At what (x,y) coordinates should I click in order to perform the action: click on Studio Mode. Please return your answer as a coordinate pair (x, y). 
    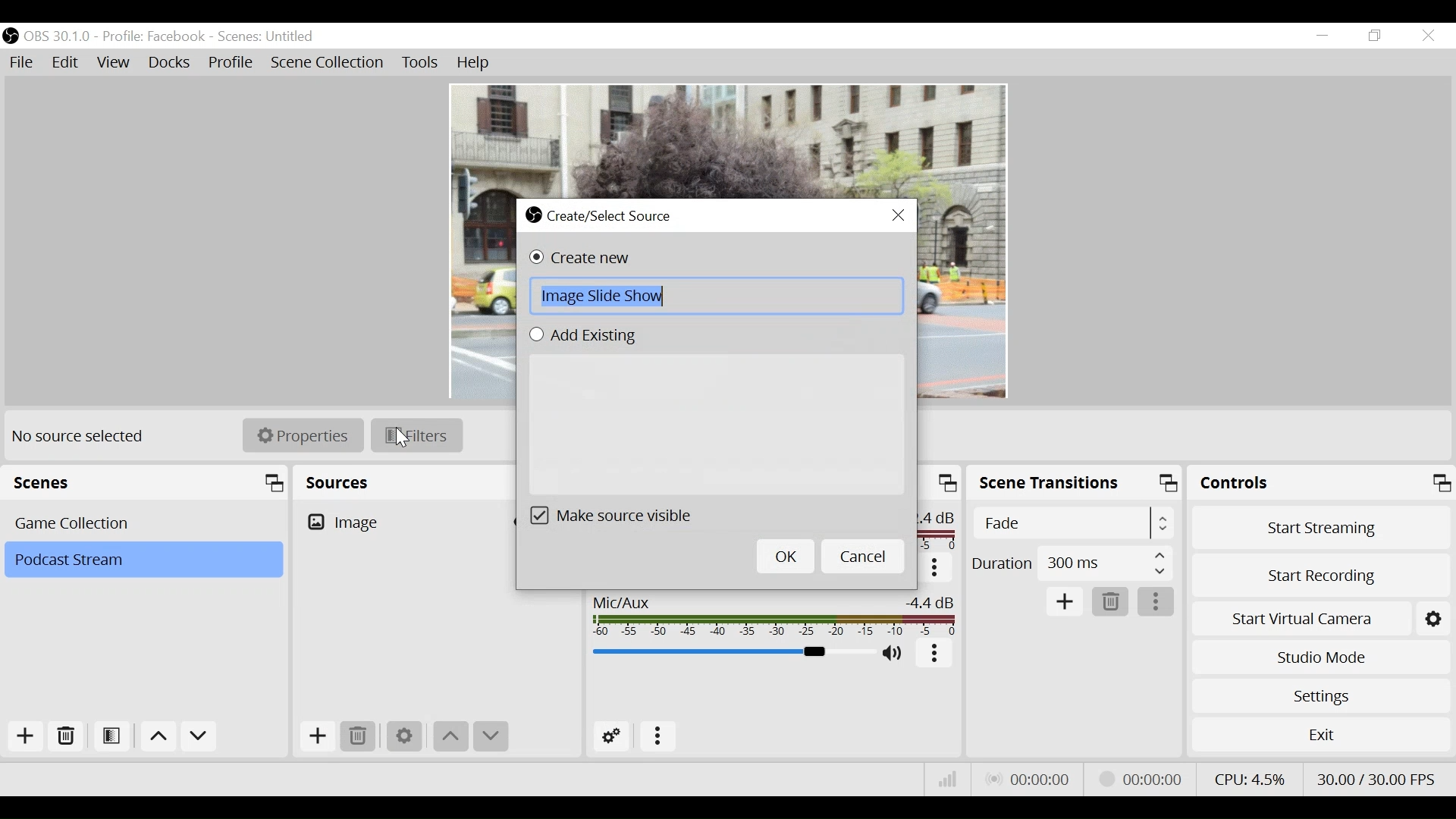
    Looking at the image, I should click on (1321, 655).